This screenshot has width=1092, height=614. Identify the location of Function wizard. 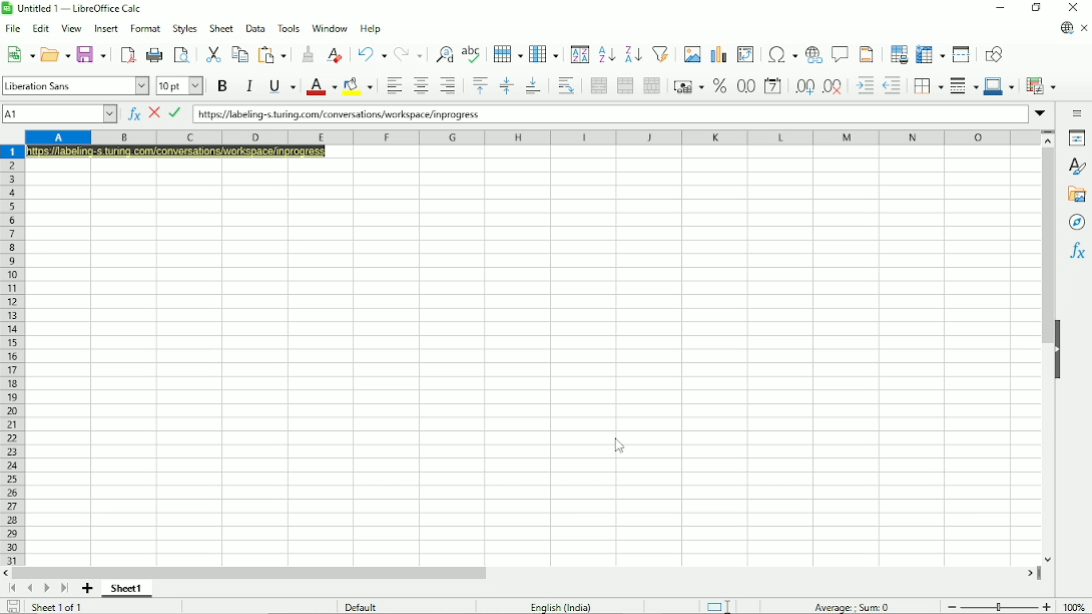
(134, 115).